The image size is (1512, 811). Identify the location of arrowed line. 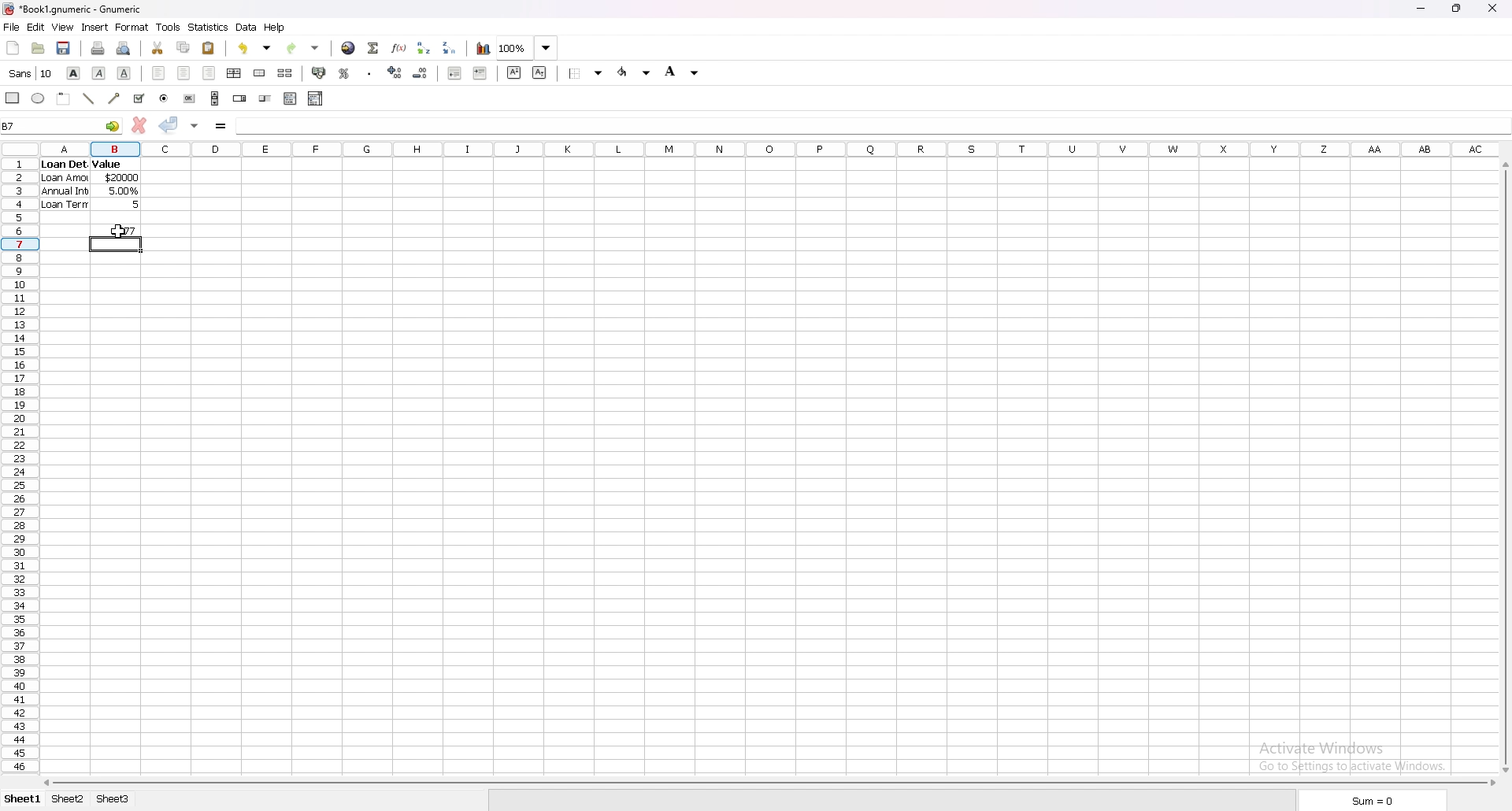
(116, 98).